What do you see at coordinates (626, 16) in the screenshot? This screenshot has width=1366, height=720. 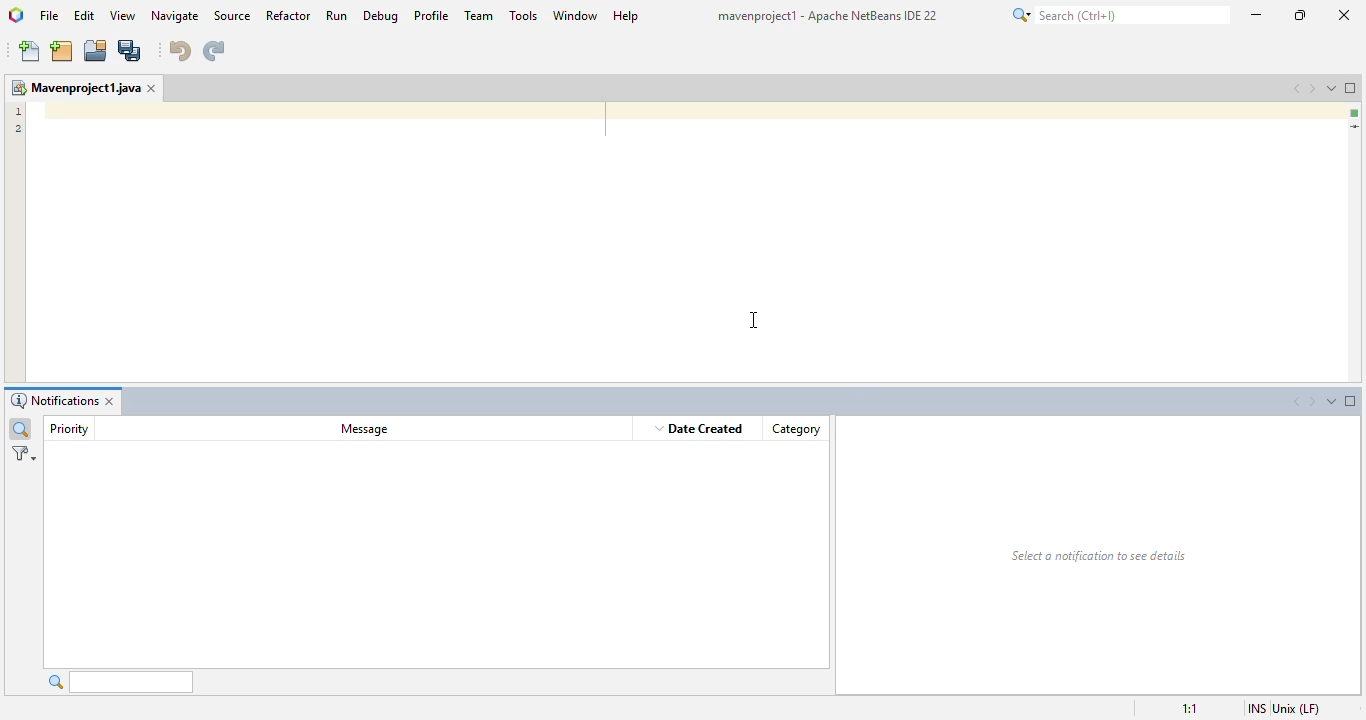 I see `help` at bounding box center [626, 16].